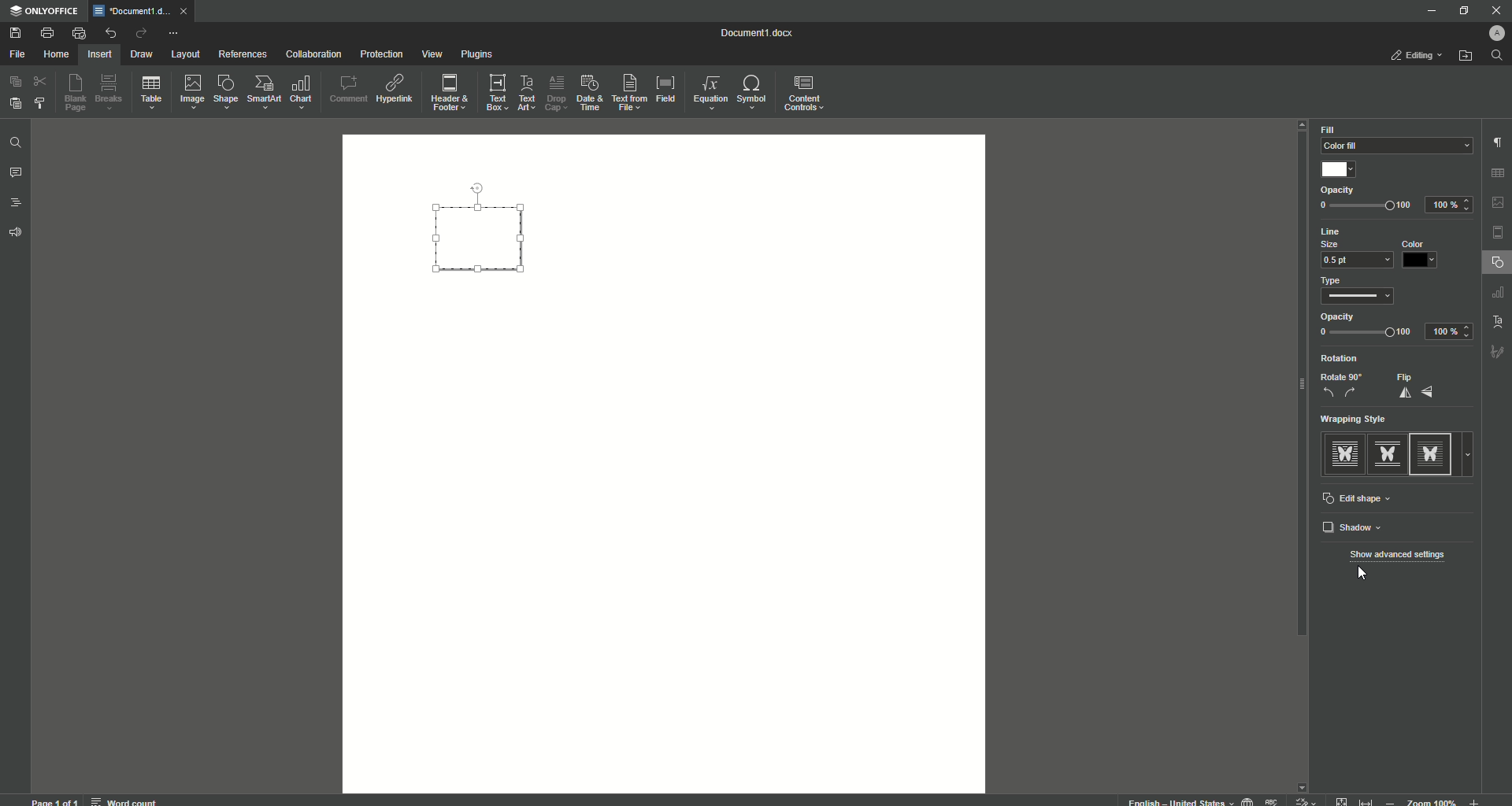 The width and height of the screenshot is (1512, 806). I want to click on Opacity, so click(1339, 191).